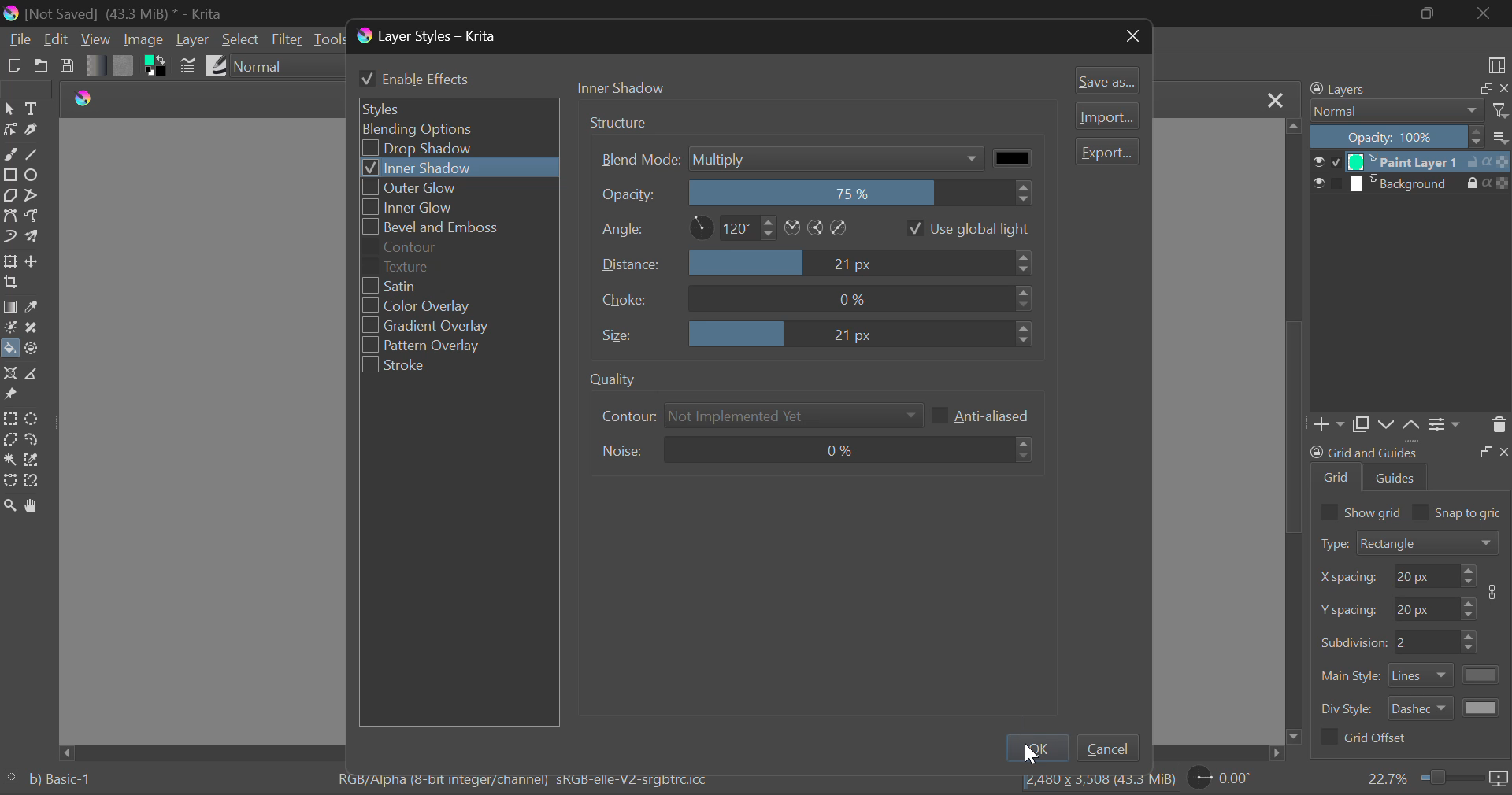  I want to click on file size, so click(1133, 778).